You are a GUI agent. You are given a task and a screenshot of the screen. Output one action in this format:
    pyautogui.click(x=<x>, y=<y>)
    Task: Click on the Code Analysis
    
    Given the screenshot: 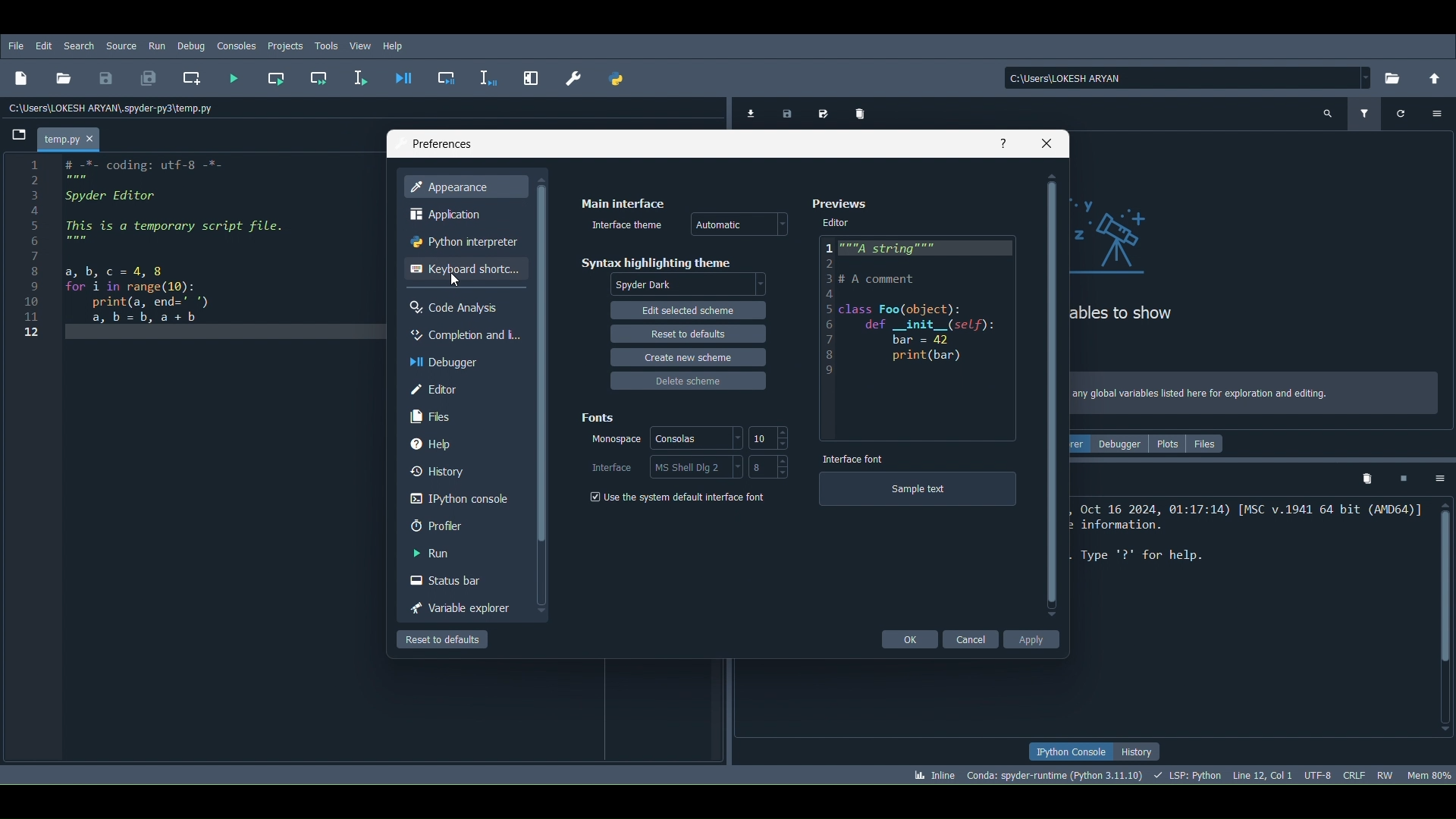 What is the action you would take?
    pyautogui.click(x=458, y=306)
    